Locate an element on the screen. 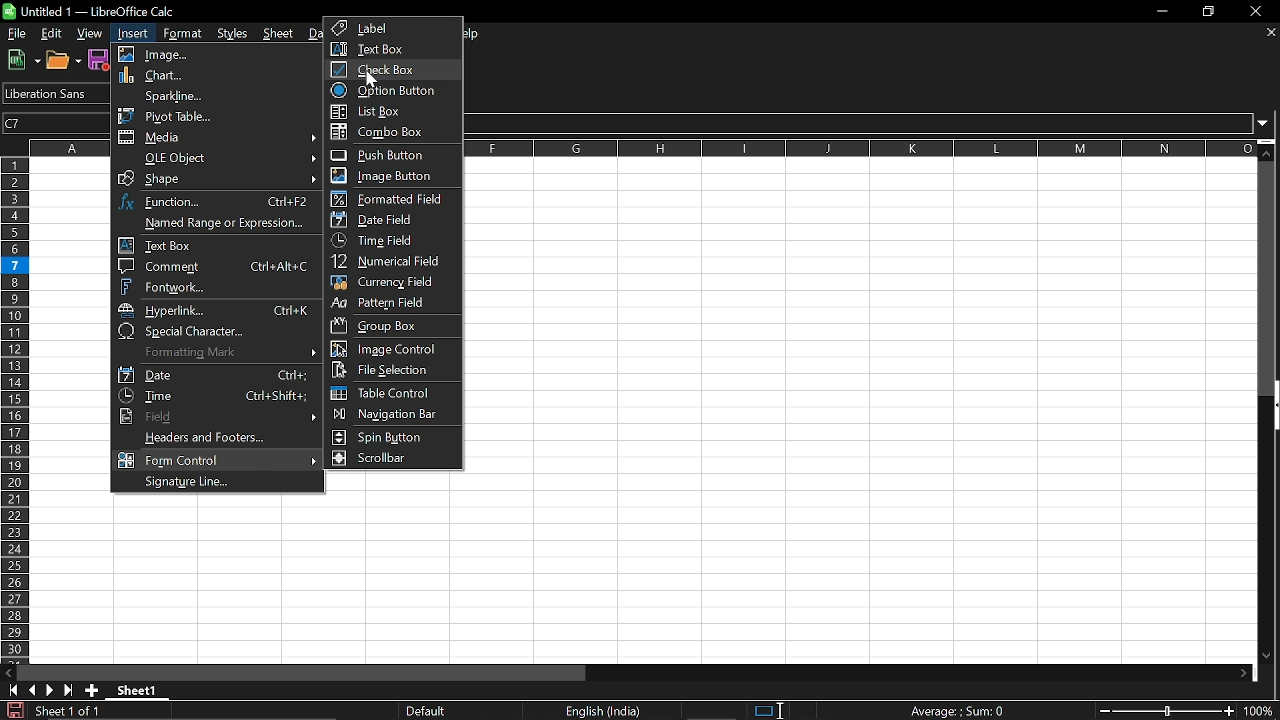 The width and height of the screenshot is (1280, 720). Pivot table is located at coordinates (212, 115).